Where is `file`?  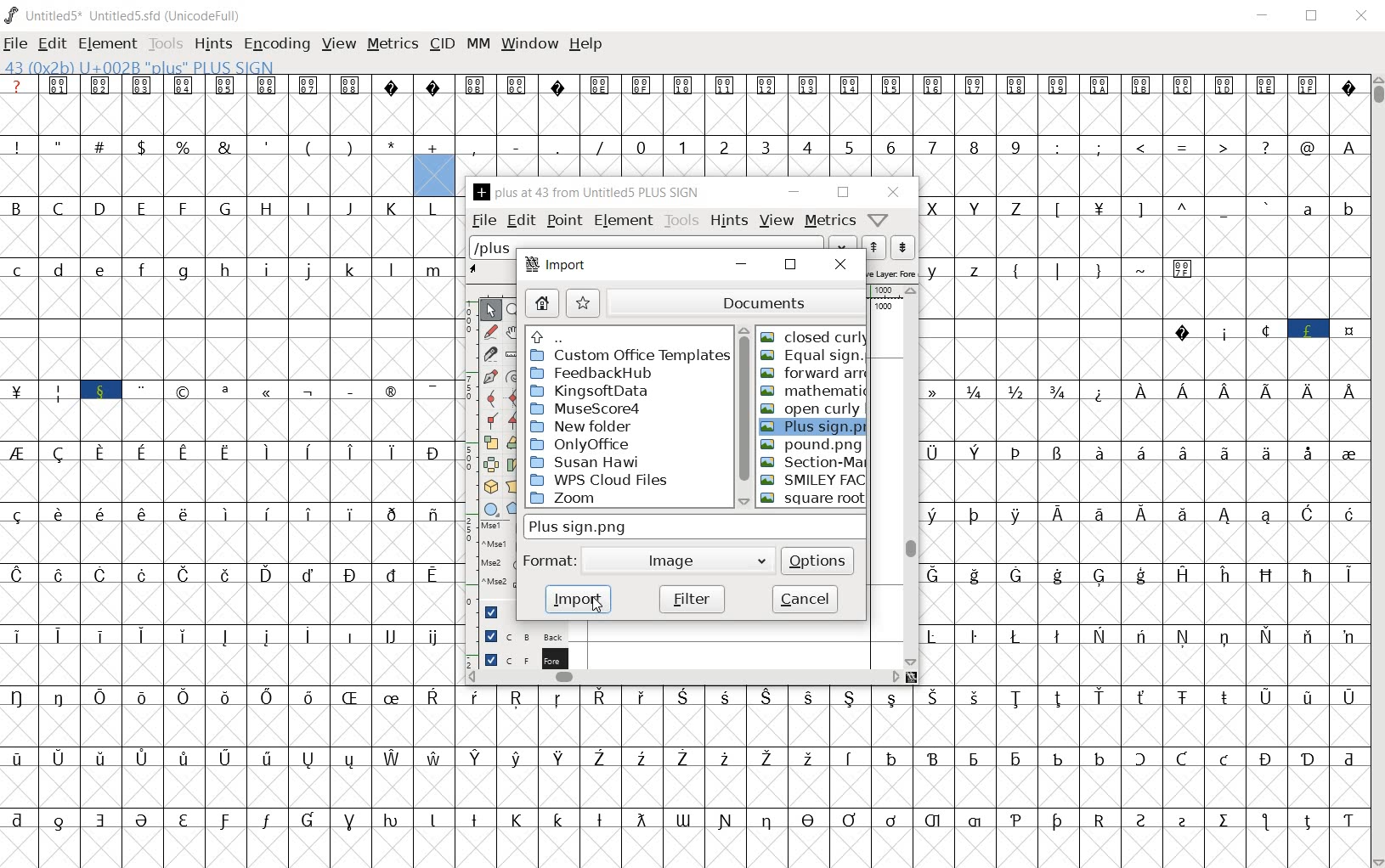
file is located at coordinates (16, 43).